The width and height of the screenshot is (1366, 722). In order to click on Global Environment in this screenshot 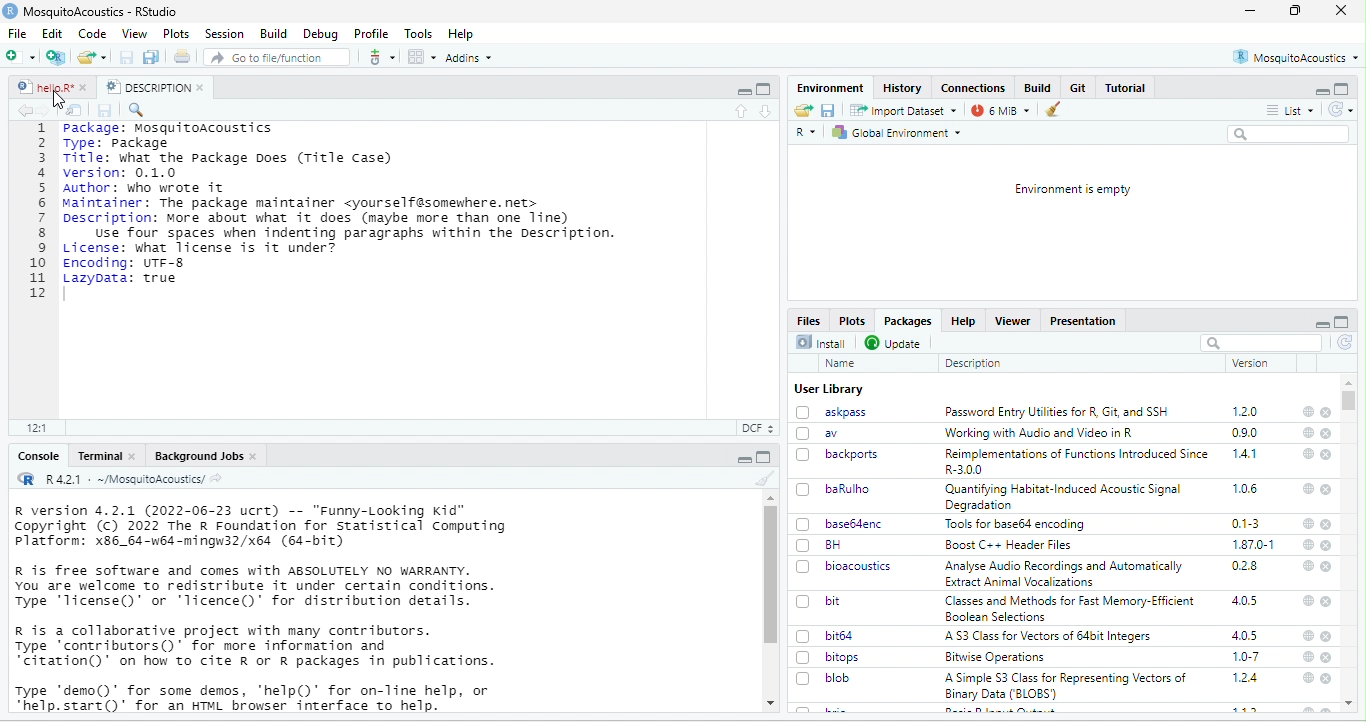, I will do `click(901, 132)`.